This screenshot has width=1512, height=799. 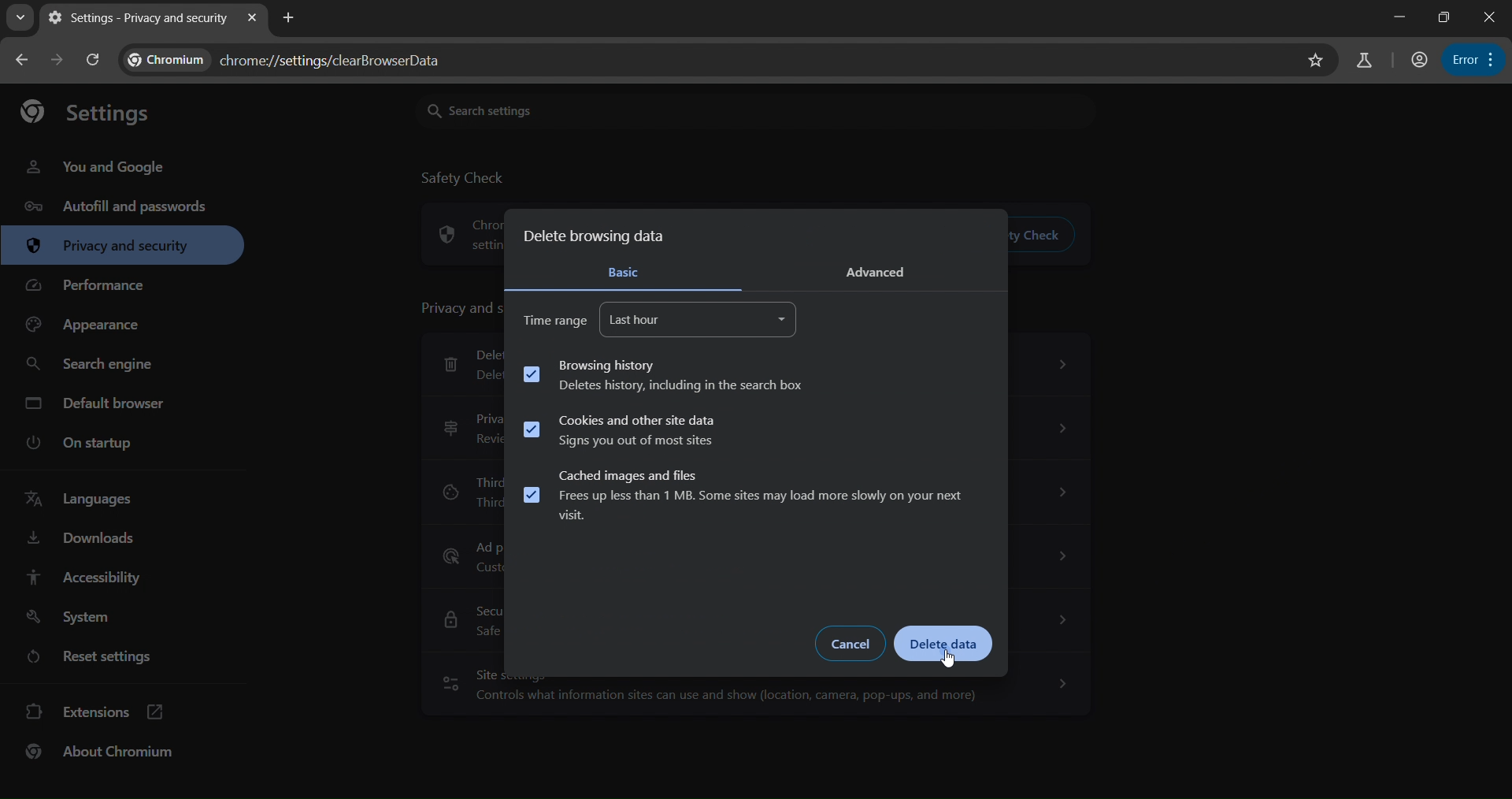 What do you see at coordinates (1315, 61) in the screenshot?
I see `bookmark page` at bounding box center [1315, 61].